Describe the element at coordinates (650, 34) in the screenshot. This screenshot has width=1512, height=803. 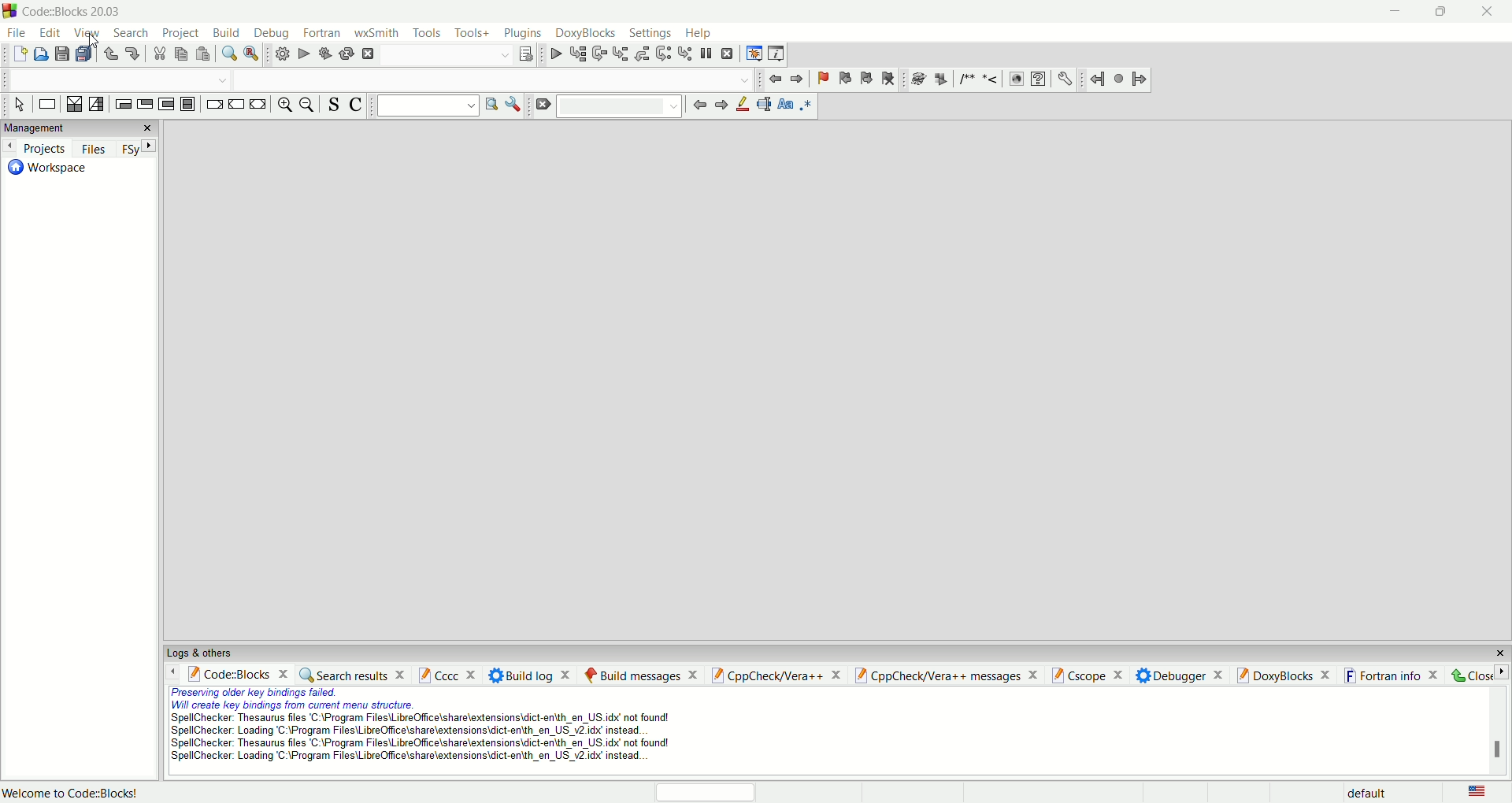
I see `settings` at that location.